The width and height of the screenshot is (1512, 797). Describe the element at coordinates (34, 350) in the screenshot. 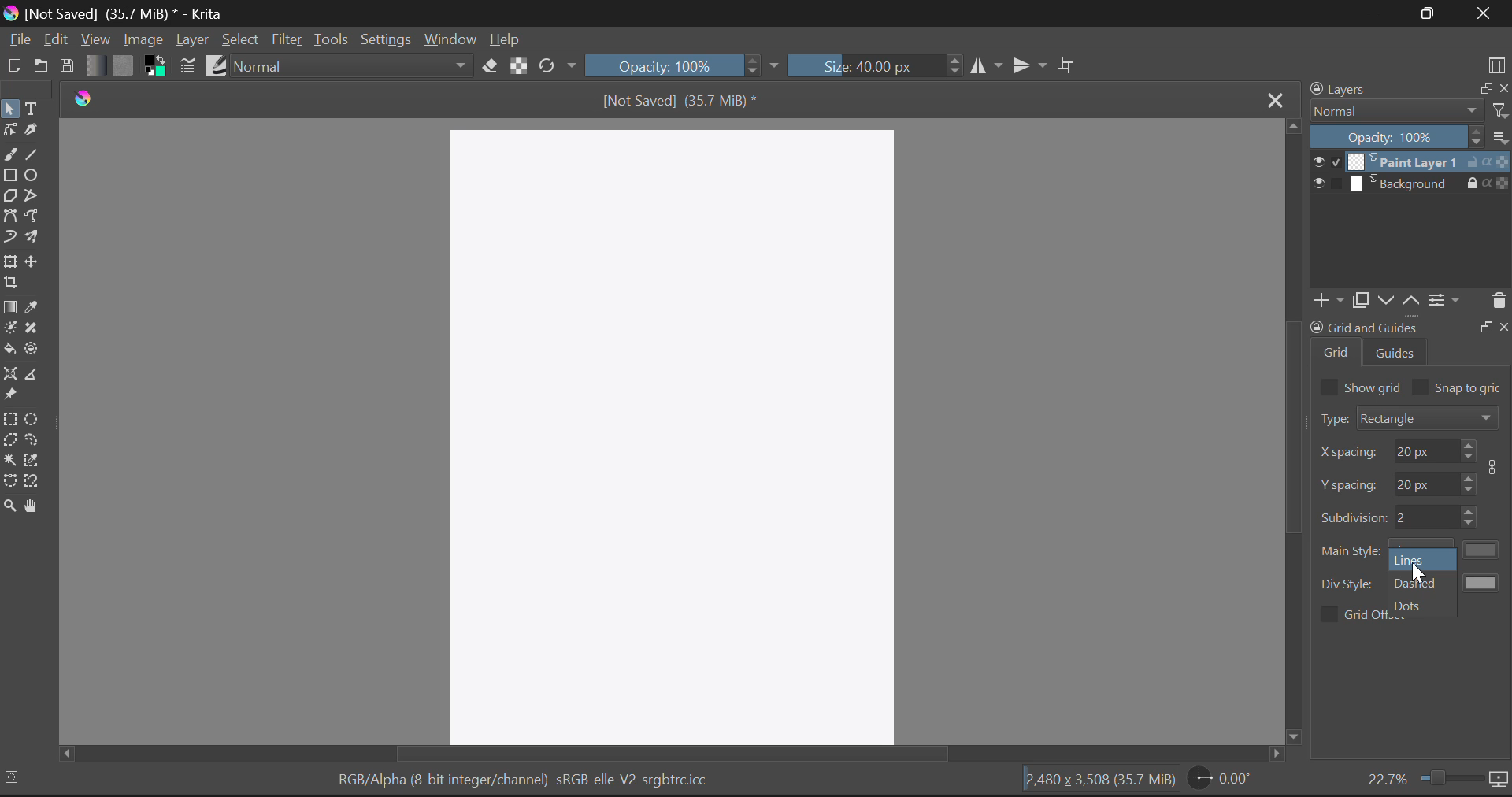

I see `Enclose and fill` at that location.